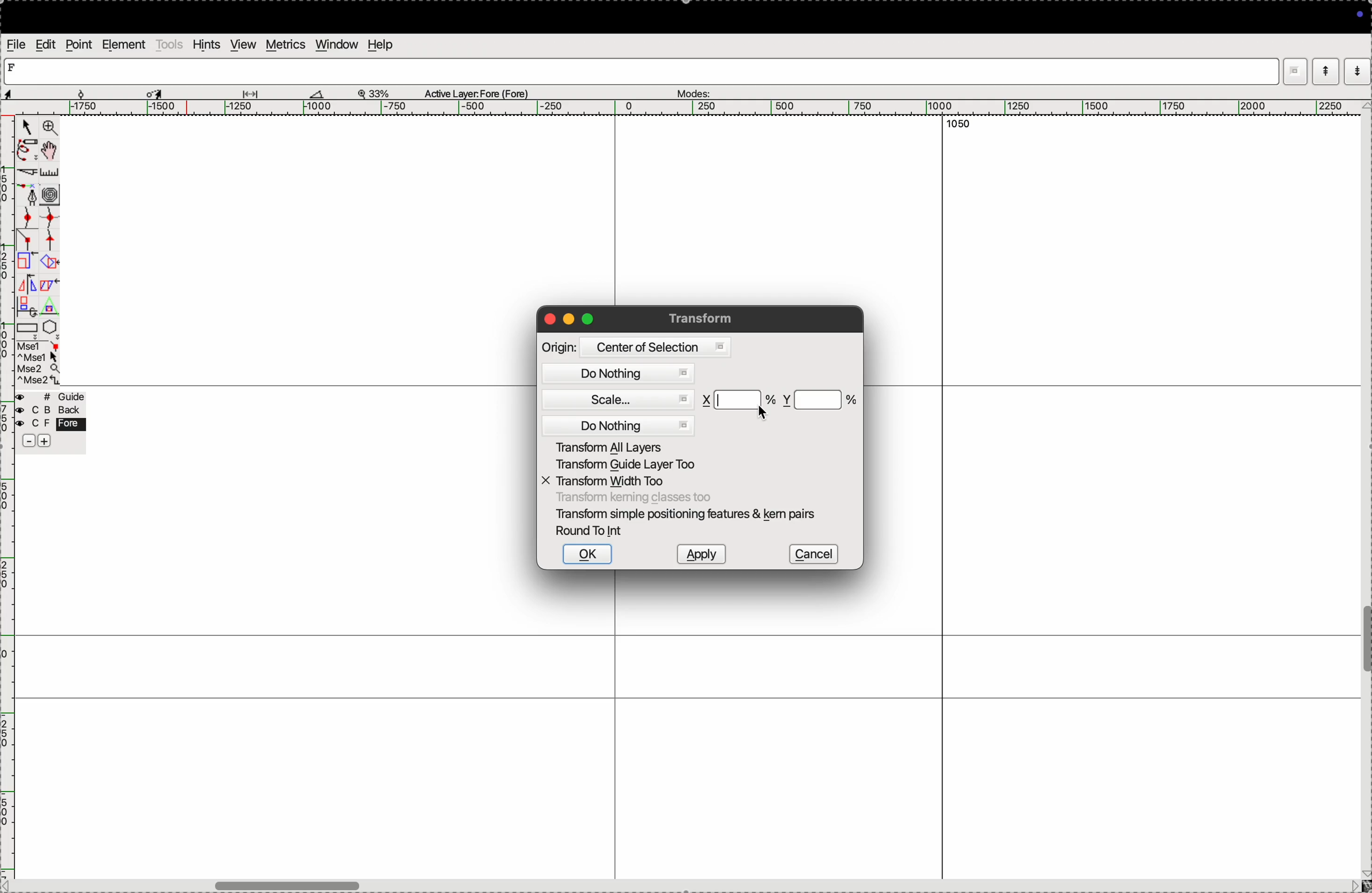  Describe the element at coordinates (620, 425) in the screenshot. I see `do nothing` at that location.